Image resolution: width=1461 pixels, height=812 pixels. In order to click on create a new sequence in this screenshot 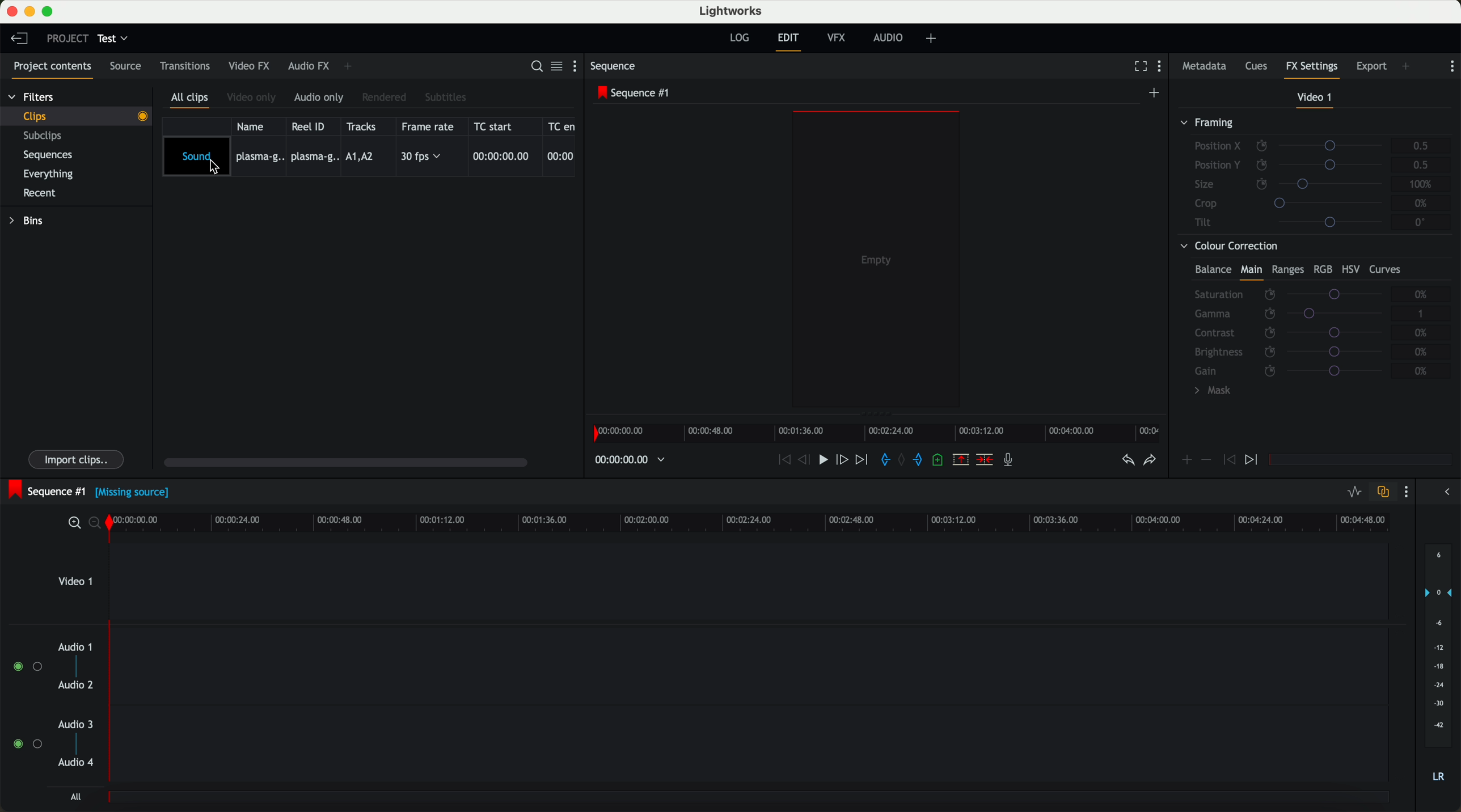, I will do `click(1155, 92)`.